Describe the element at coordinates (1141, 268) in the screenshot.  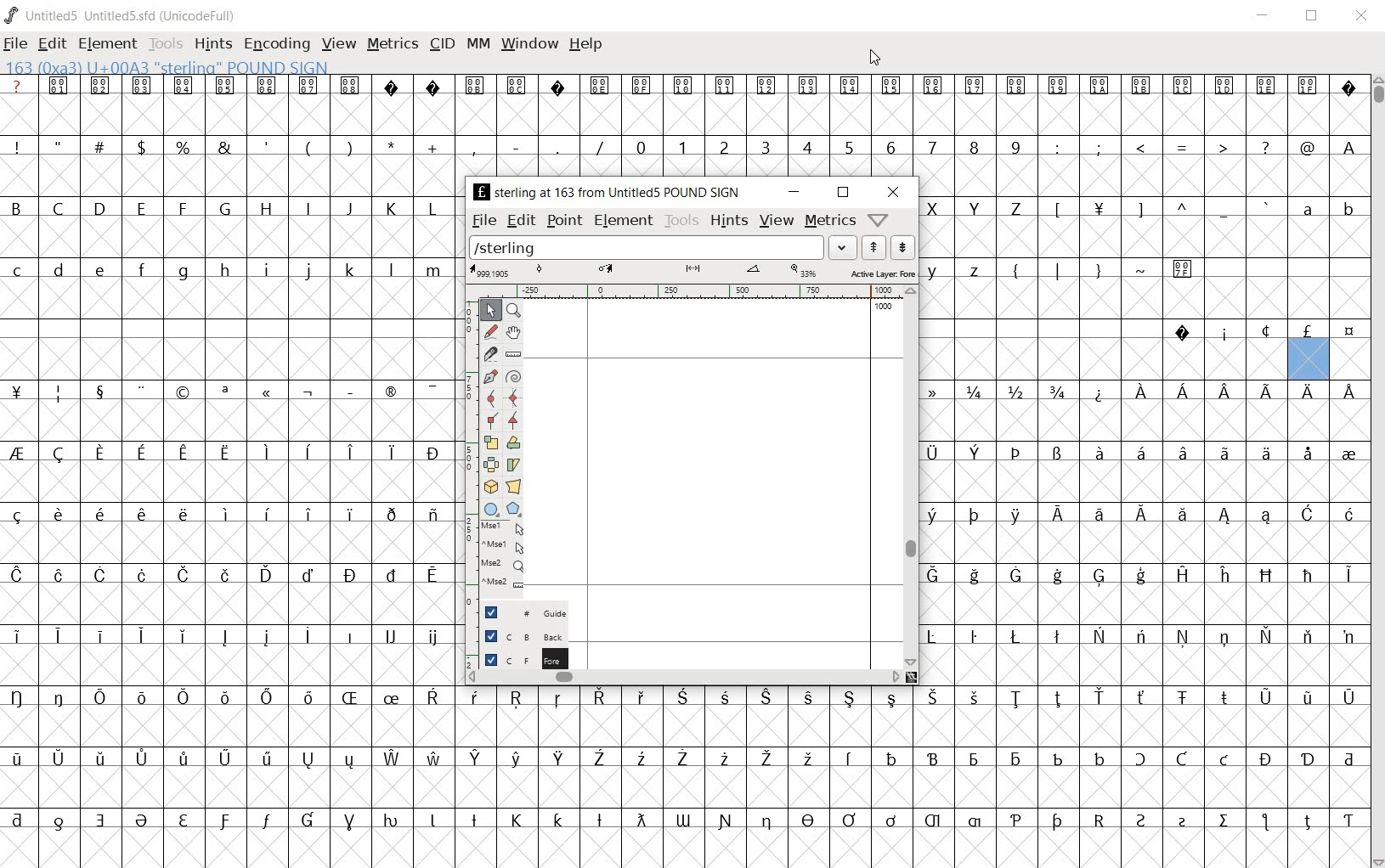
I see `~` at that location.